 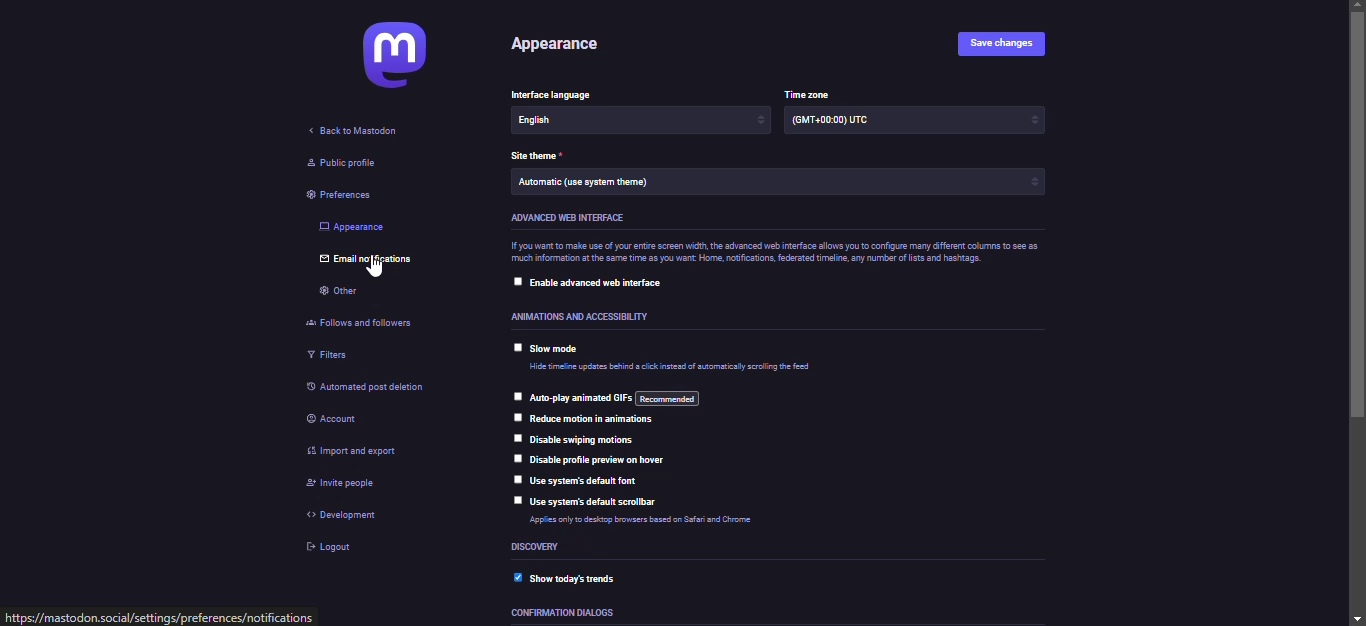 I want to click on click to select, so click(x=513, y=500).